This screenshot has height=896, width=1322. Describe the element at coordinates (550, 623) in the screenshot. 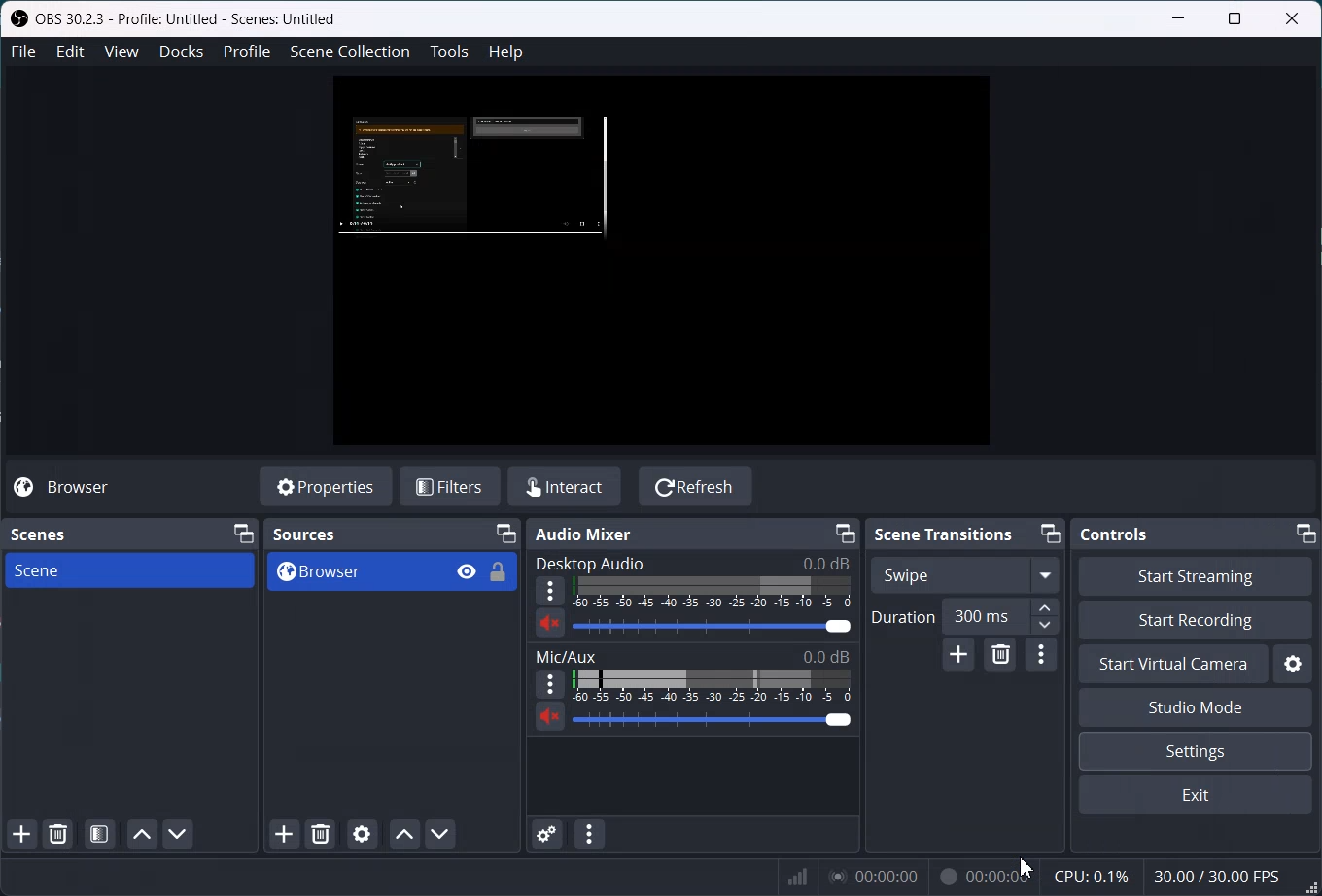

I see `Mute/ Unmute` at that location.